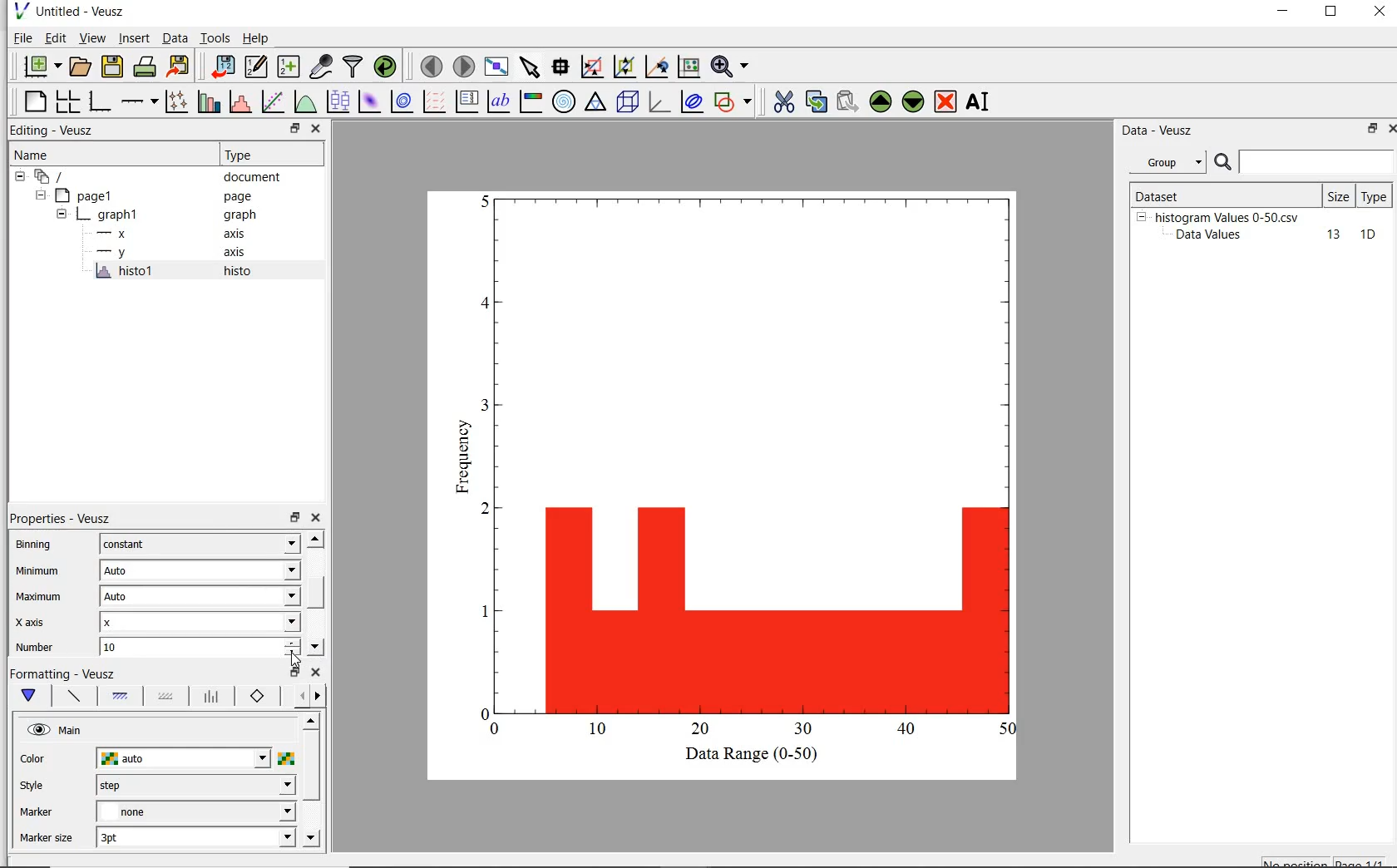 The image size is (1397, 868). Describe the element at coordinates (311, 767) in the screenshot. I see `vertical scrollbar` at that location.